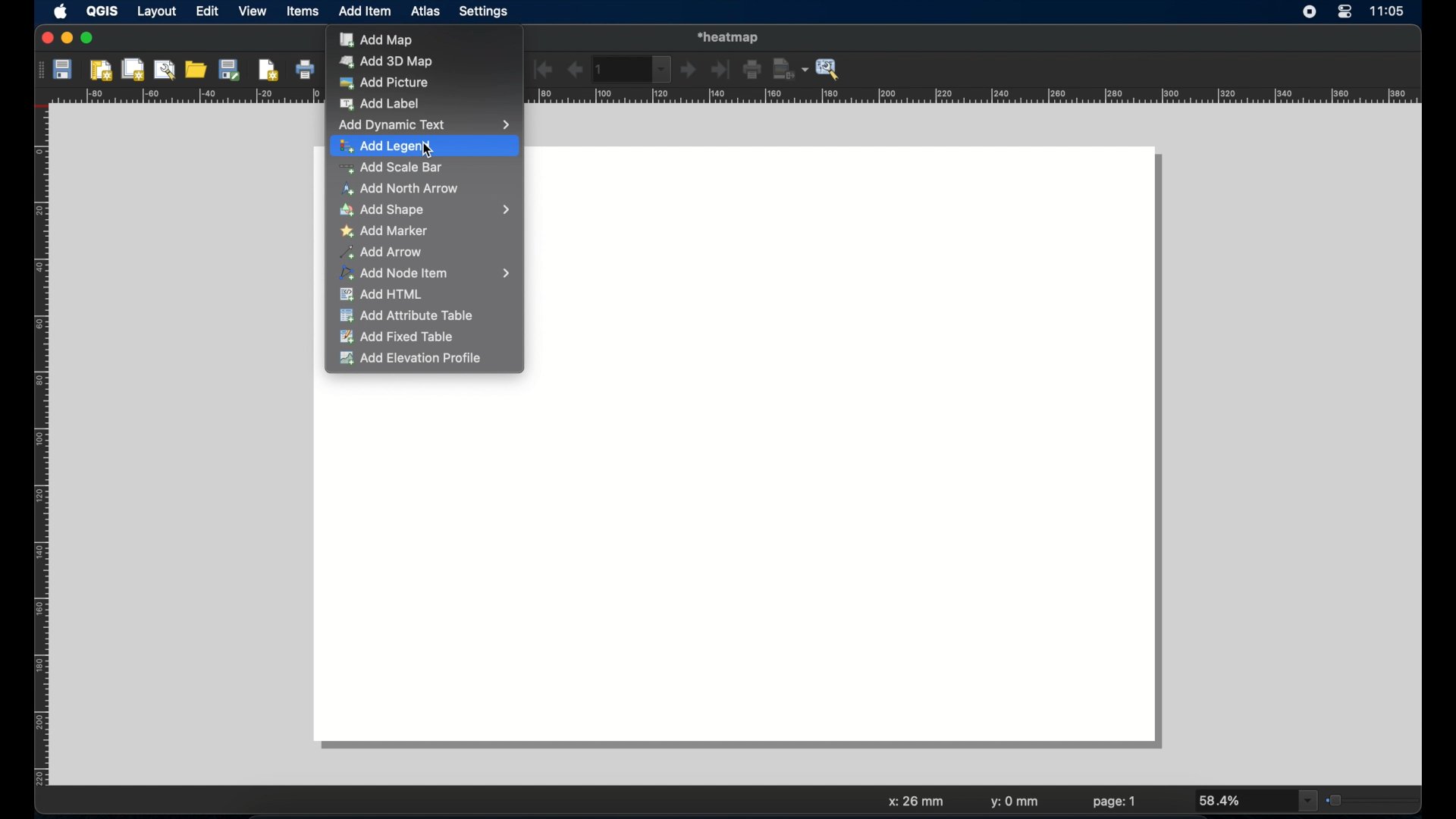 The width and height of the screenshot is (1456, 819). What do you see at coordinates (544, 69) in the screenshot?
I see `first feature` at bounding box center [544, 69].